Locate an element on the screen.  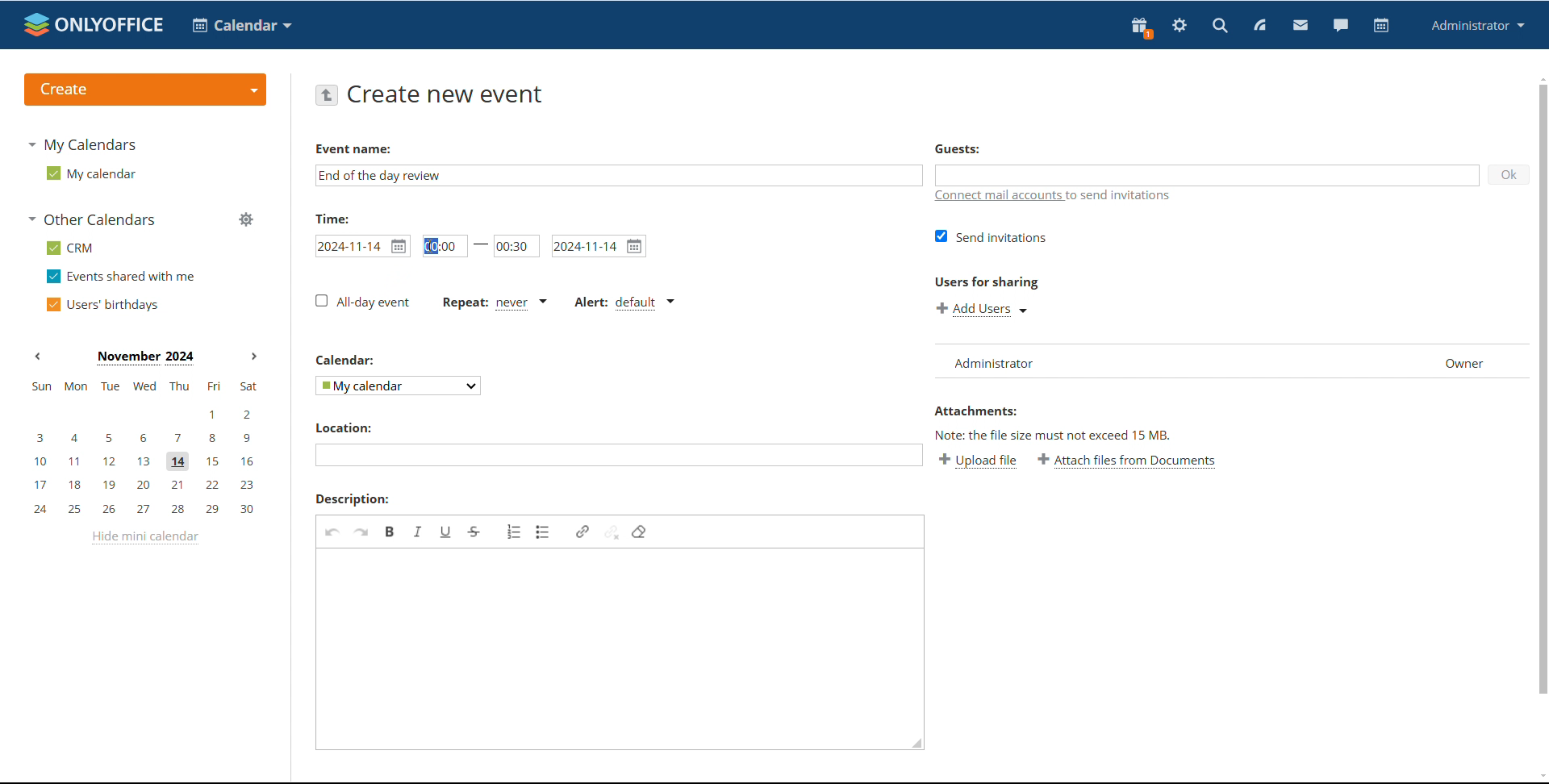
event repetition is located at coordinates (493, 302).